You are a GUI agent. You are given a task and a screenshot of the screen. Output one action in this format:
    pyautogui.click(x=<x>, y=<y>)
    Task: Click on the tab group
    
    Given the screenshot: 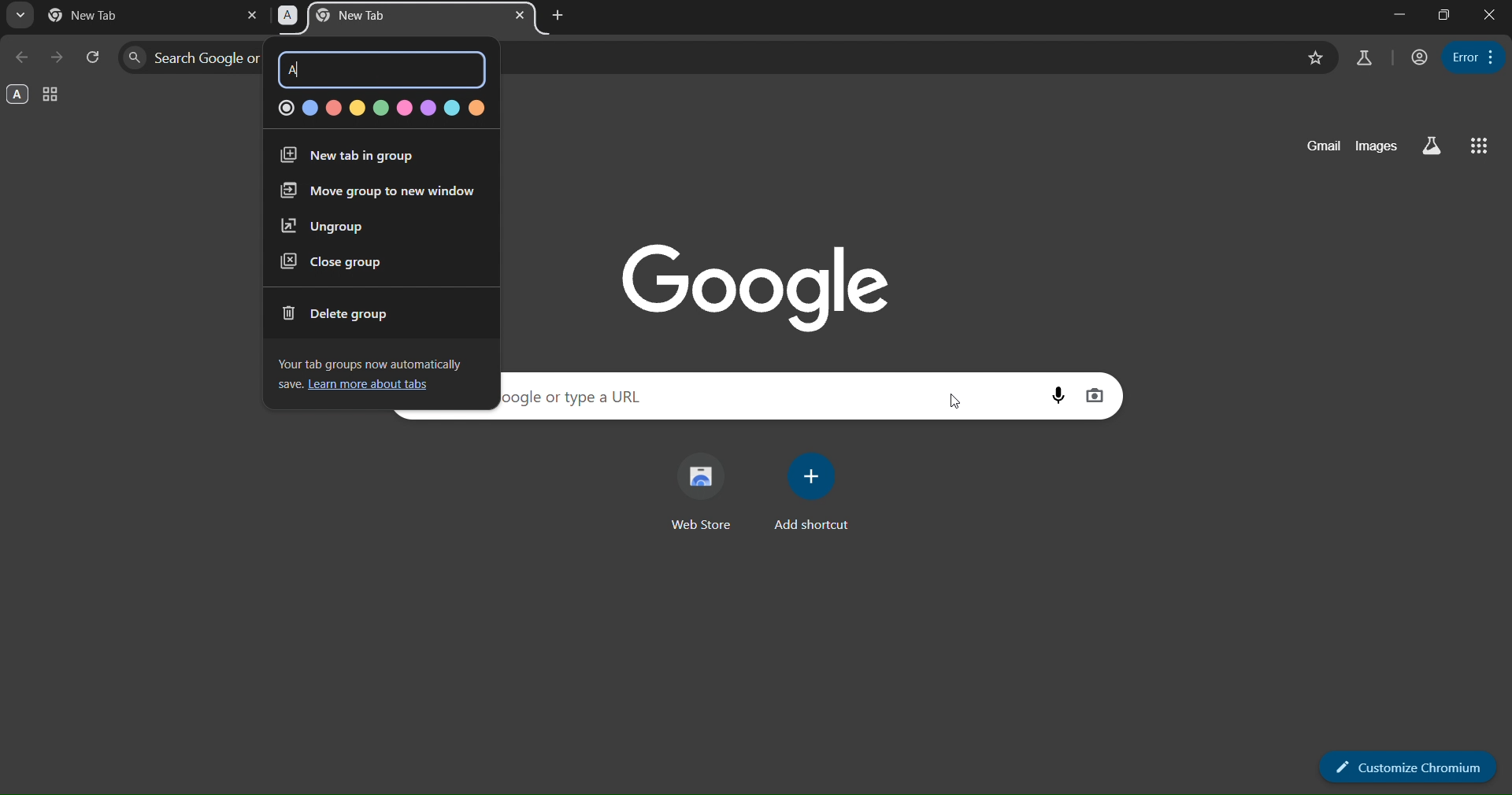 What is the action you would take?
    pyautogui.click(x=47, y=94)
    